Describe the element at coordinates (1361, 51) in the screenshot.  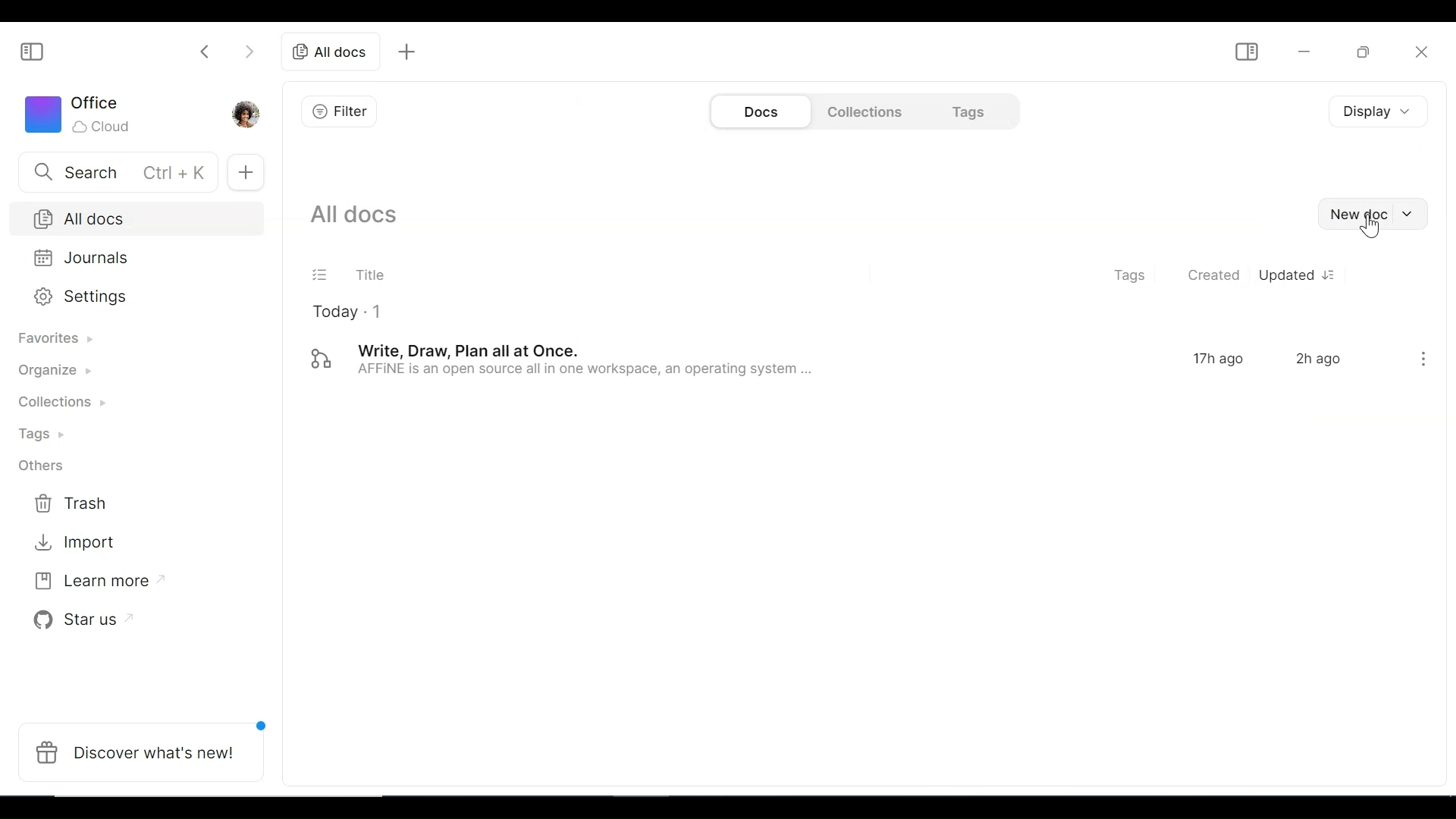
I see `Restore` at that location.